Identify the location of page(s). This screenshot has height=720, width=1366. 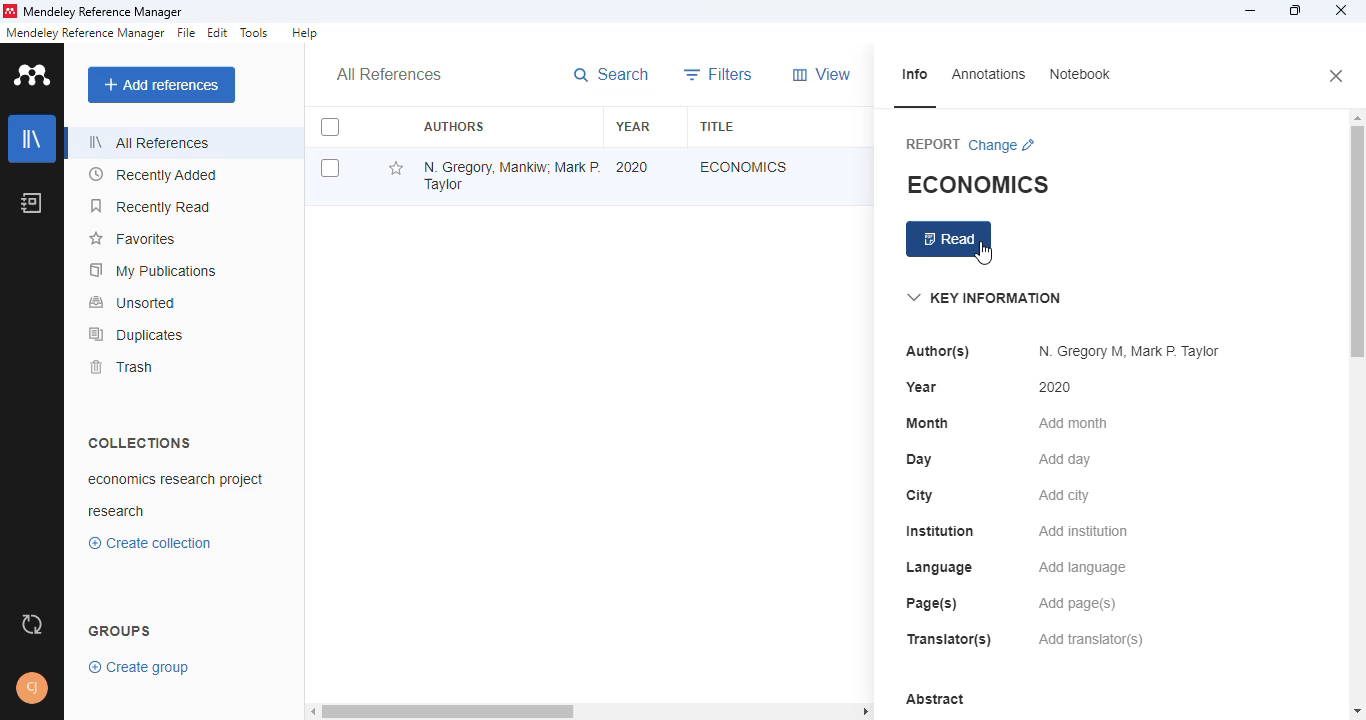
(933, 604).